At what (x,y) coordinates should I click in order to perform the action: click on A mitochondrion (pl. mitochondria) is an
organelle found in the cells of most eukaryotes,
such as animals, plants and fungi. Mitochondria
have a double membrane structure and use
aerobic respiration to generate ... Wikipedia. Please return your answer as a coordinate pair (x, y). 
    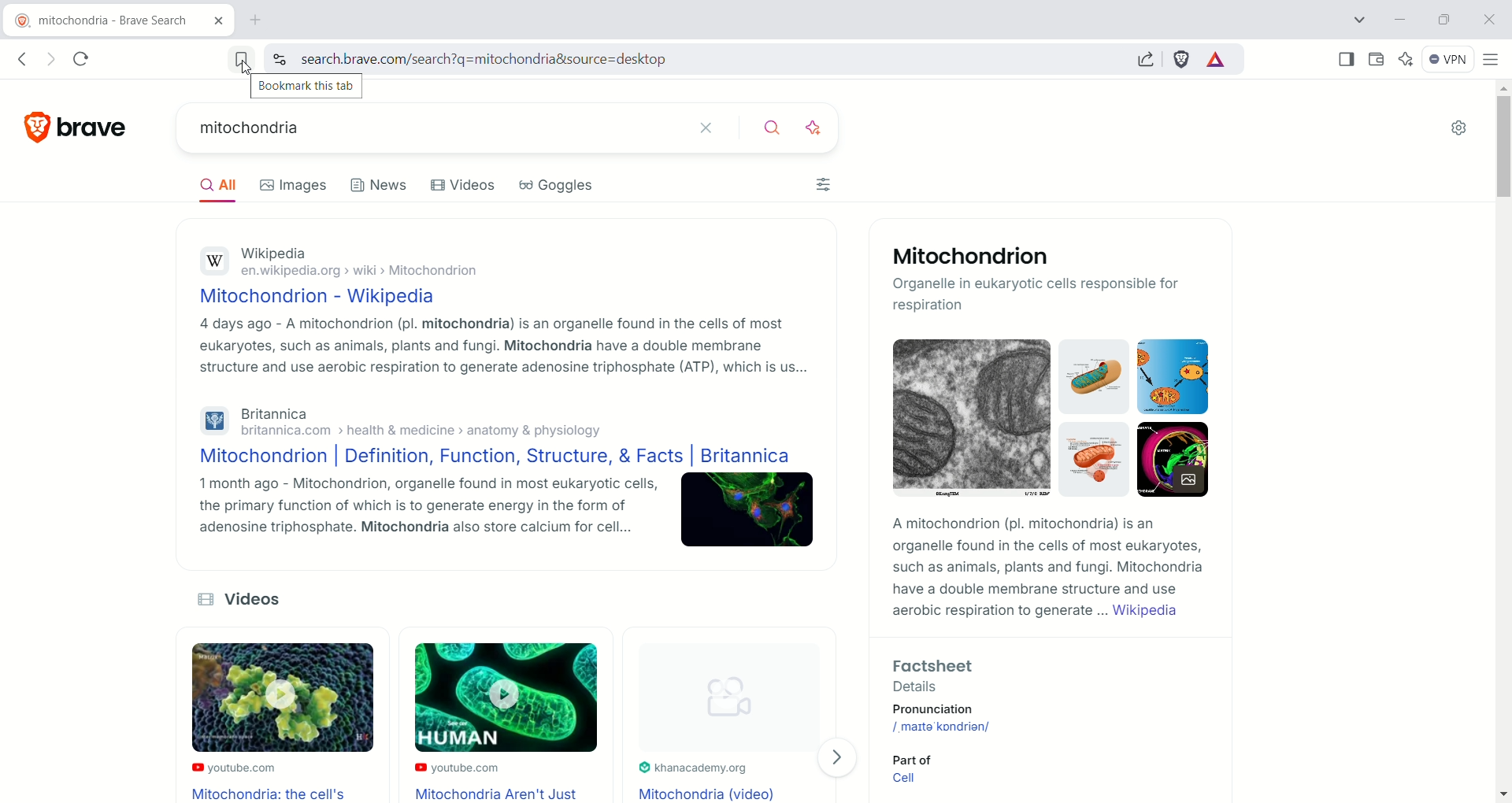
    Looking at the image, I should click on (1043, 569).